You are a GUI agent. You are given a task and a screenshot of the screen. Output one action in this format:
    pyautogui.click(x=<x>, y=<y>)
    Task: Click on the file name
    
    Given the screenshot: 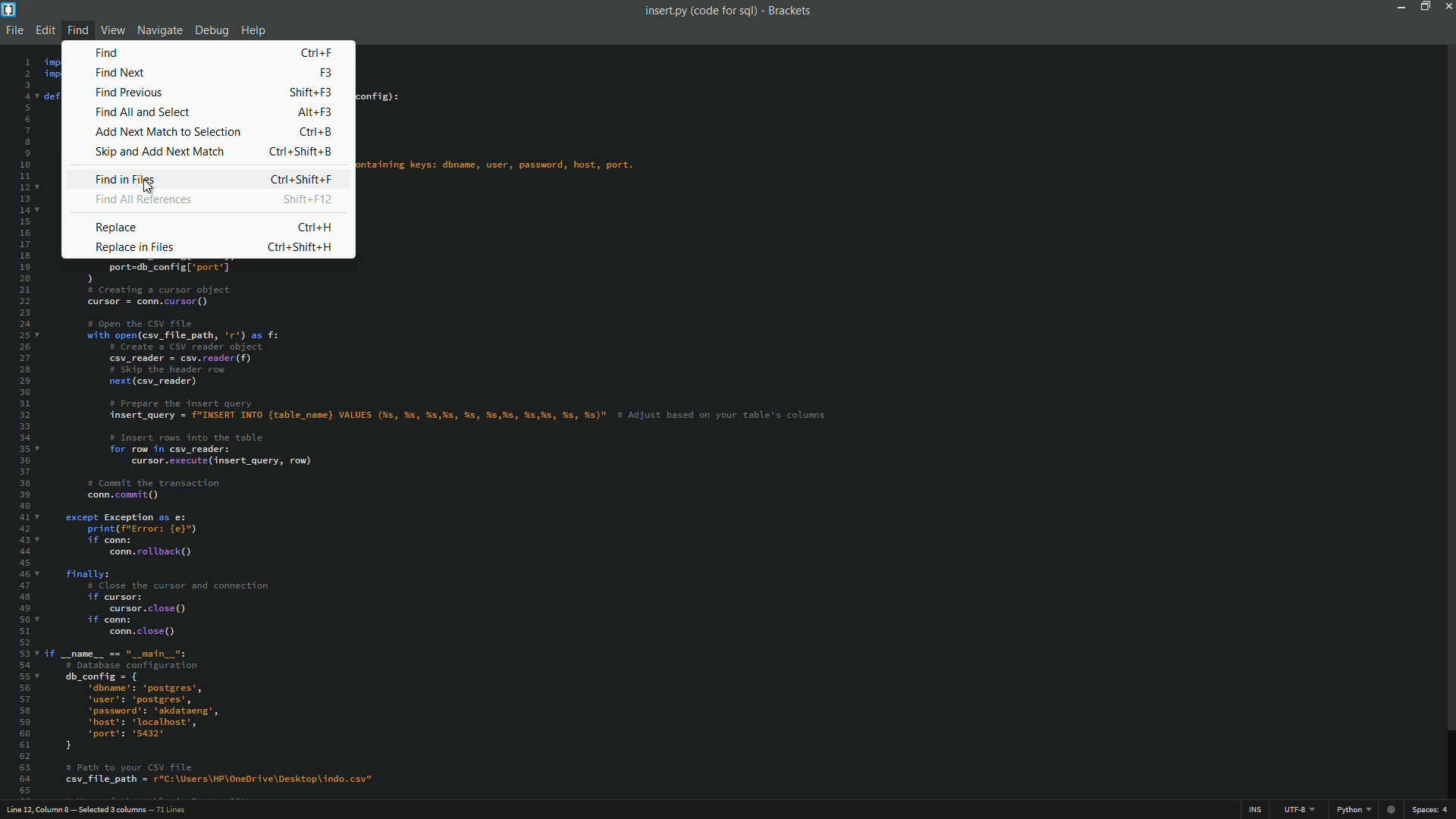 What is the action you would take?
    pyautogui.click(x=699, y=11)
    